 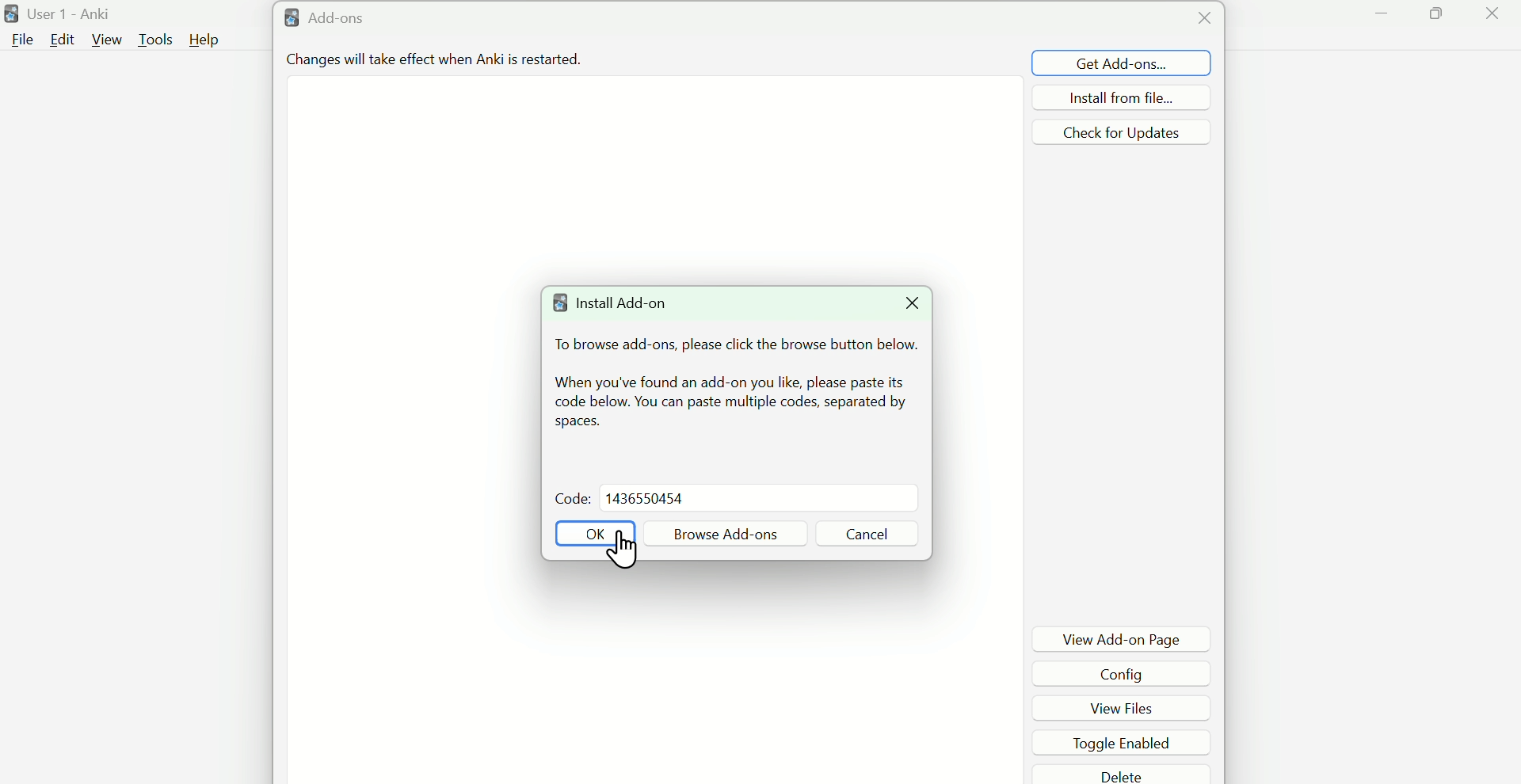 I want to click on Cursor, so click(x=623, y=548).